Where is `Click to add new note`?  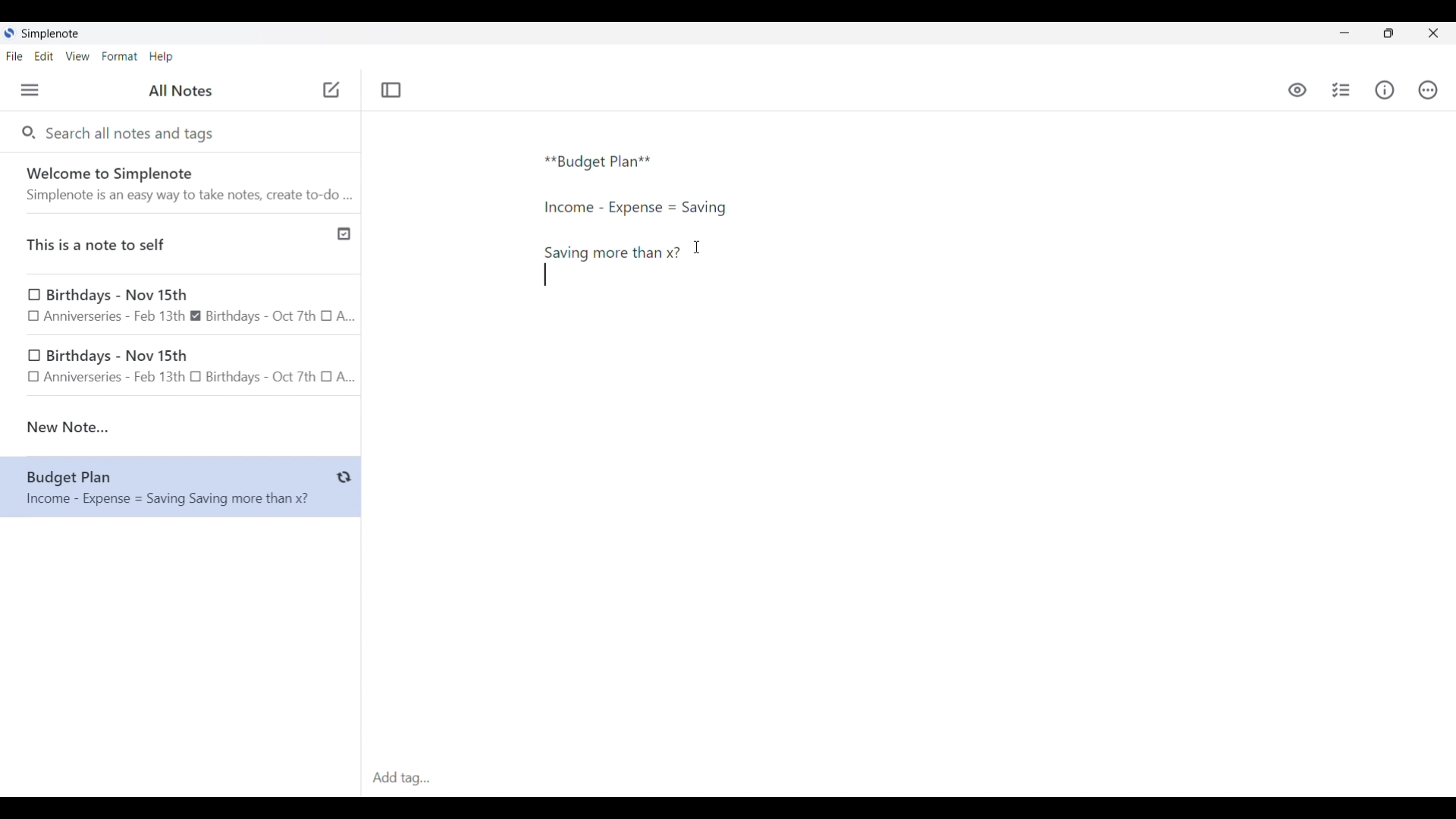 Click to add new note is located at coordinates (331, 89).